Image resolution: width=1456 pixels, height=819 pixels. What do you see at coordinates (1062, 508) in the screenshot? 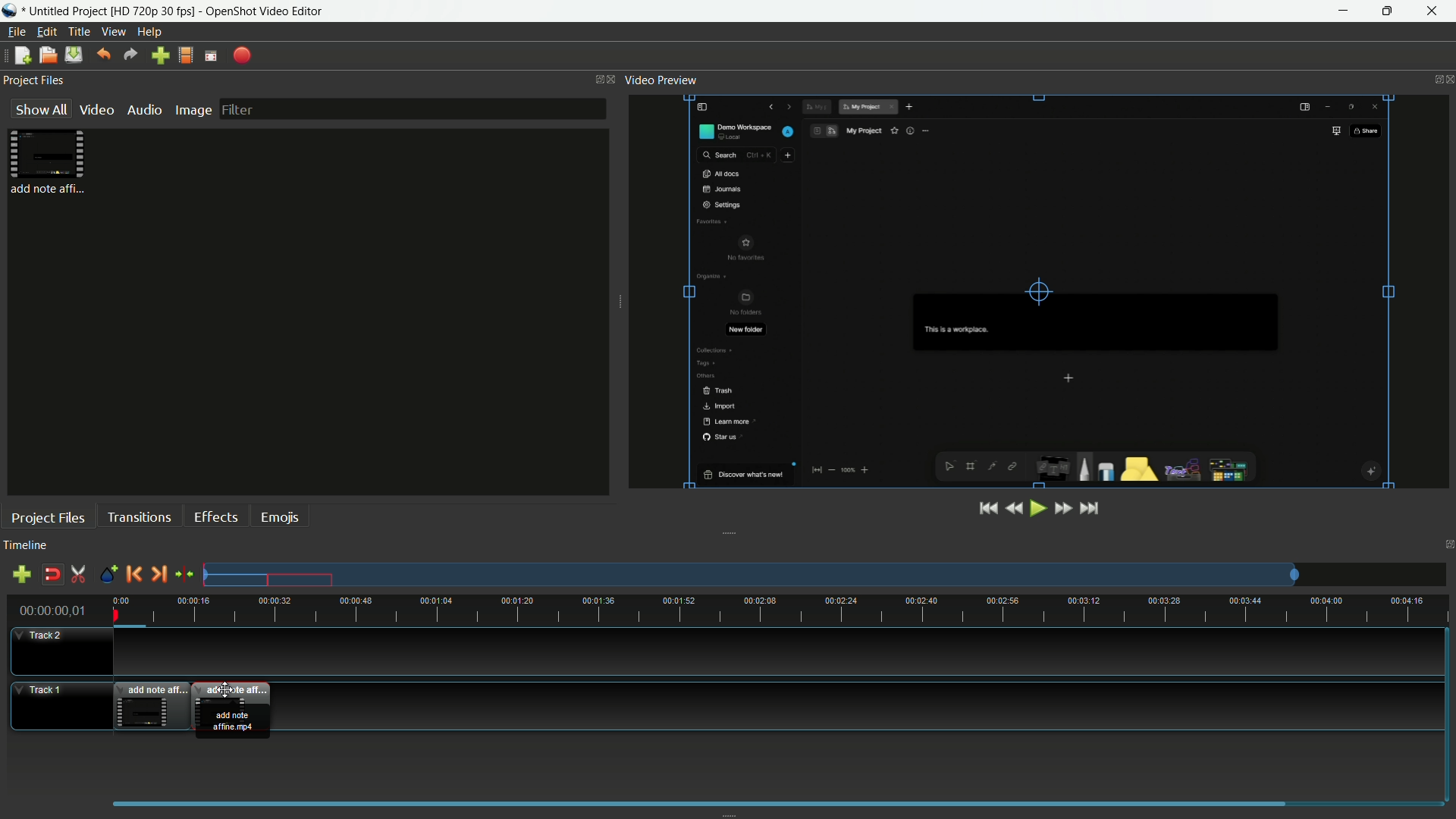
I see `fast forward` at bounding box center [1062, 508].